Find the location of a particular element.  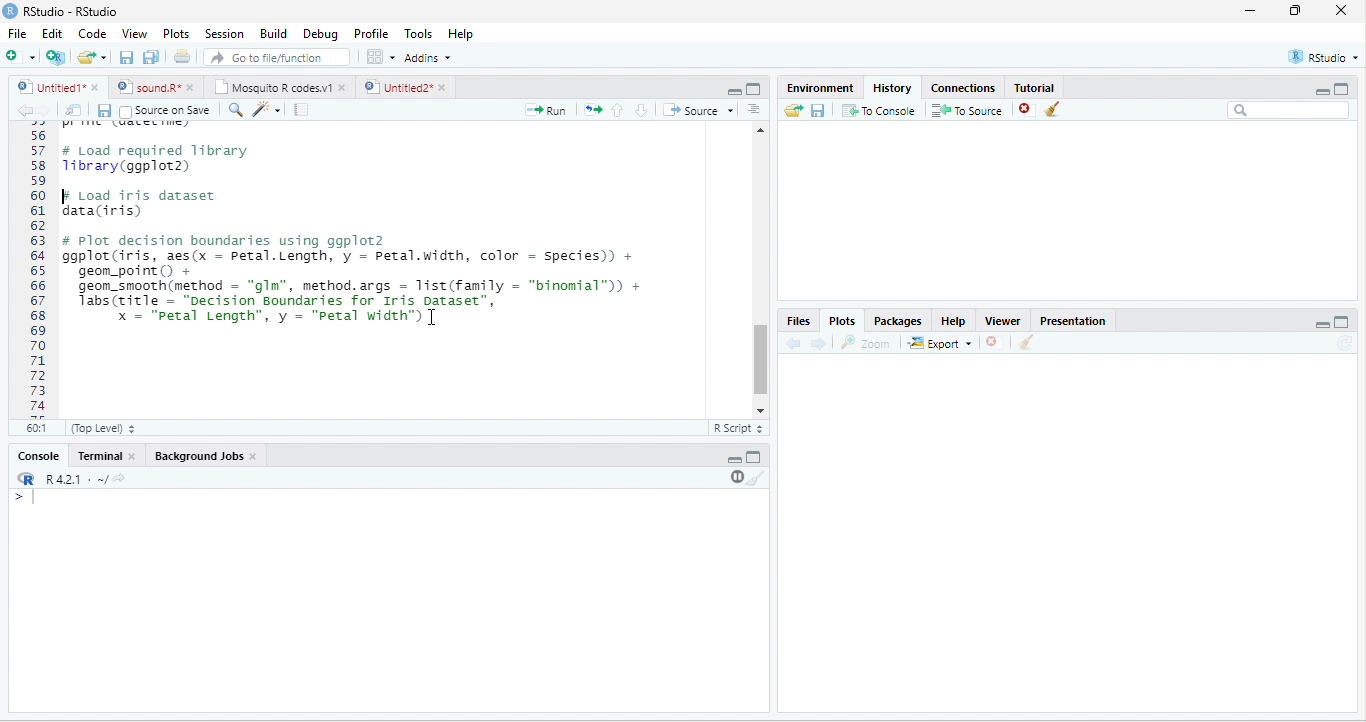

save is located at coordinates (104, 111).